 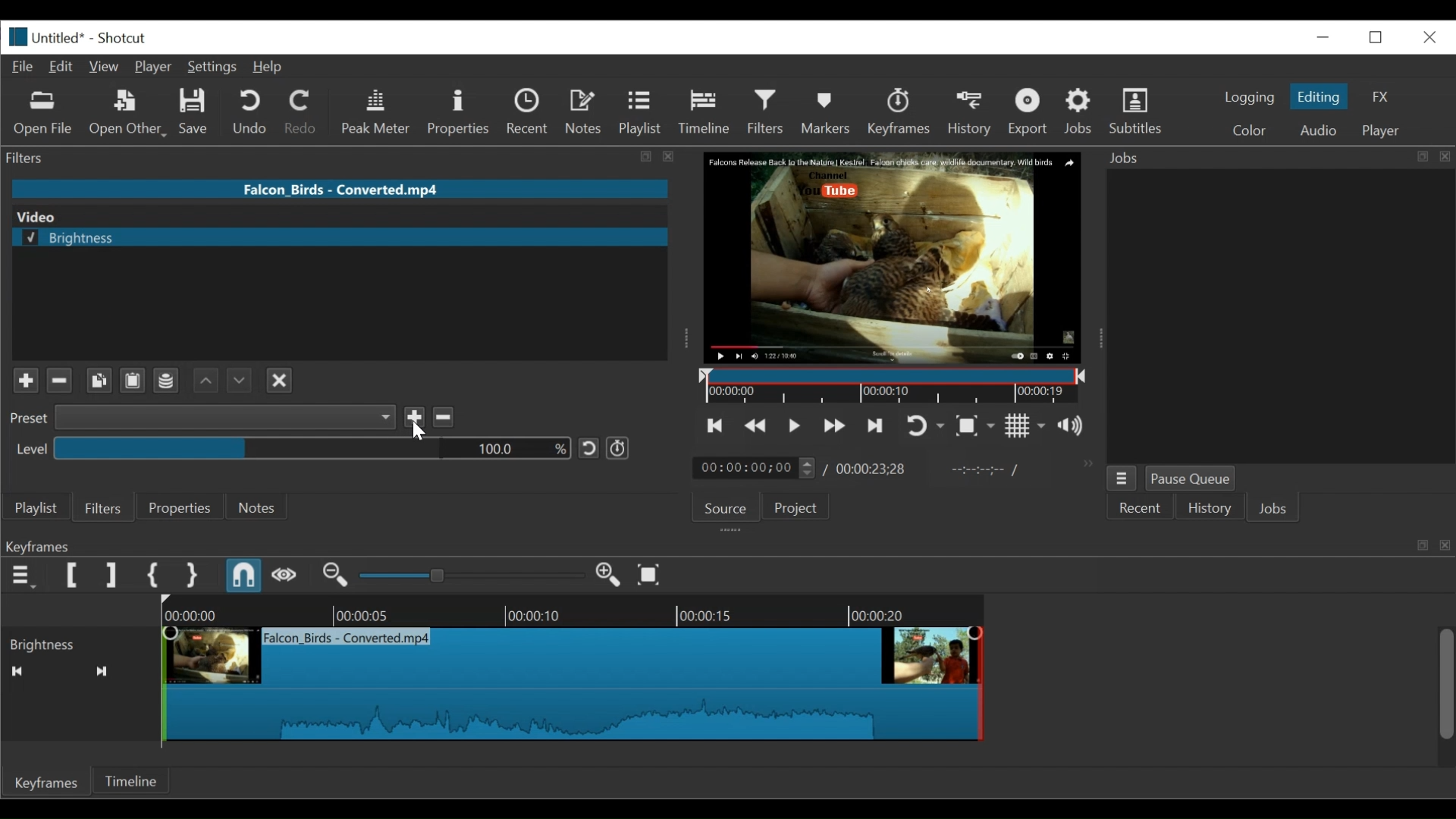 I want to click on Zoom keyframe out , so click(x=610, y=576).